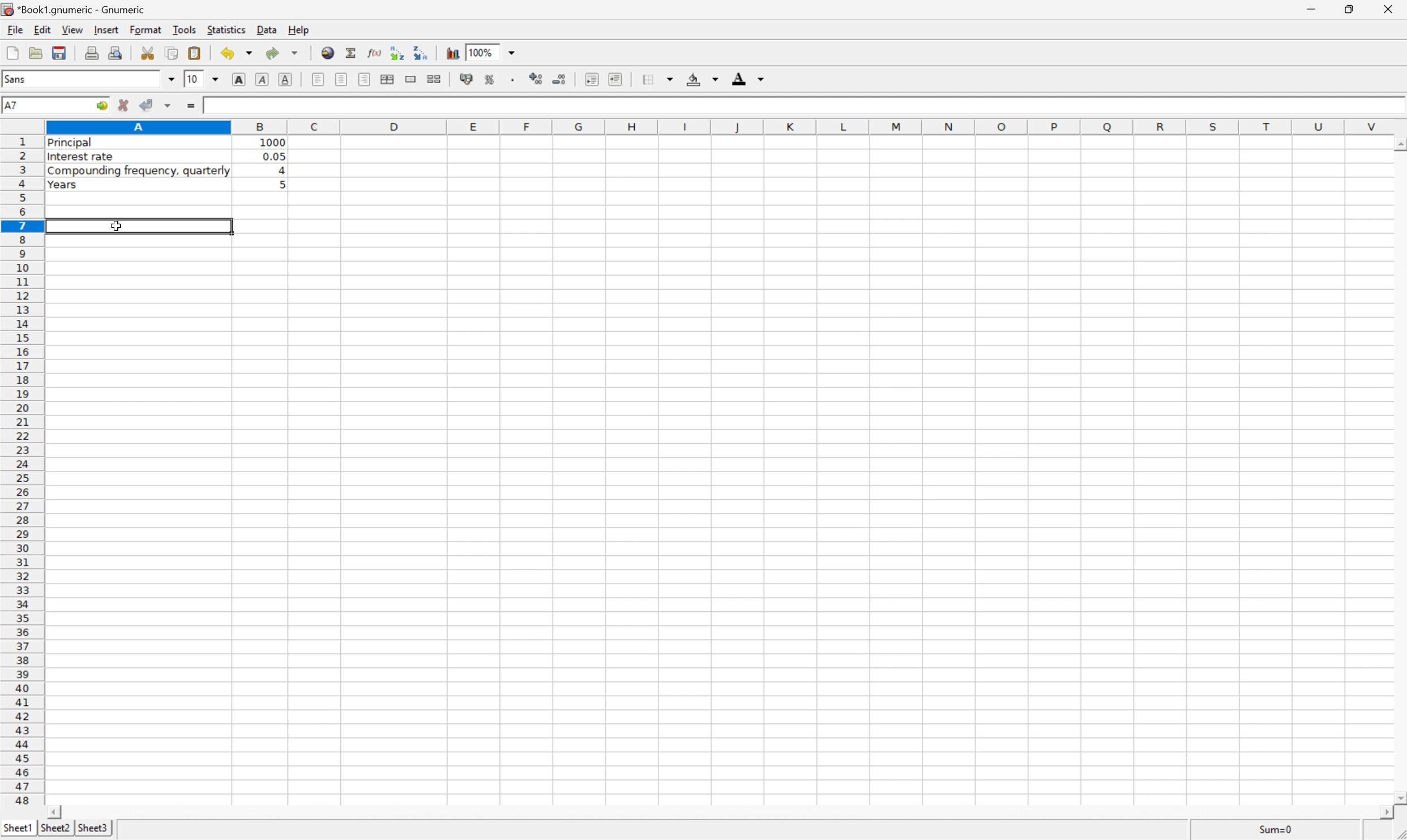  Describe the element at coordinates (451, 52) in the screenshot. I see `insert chart` at that location.